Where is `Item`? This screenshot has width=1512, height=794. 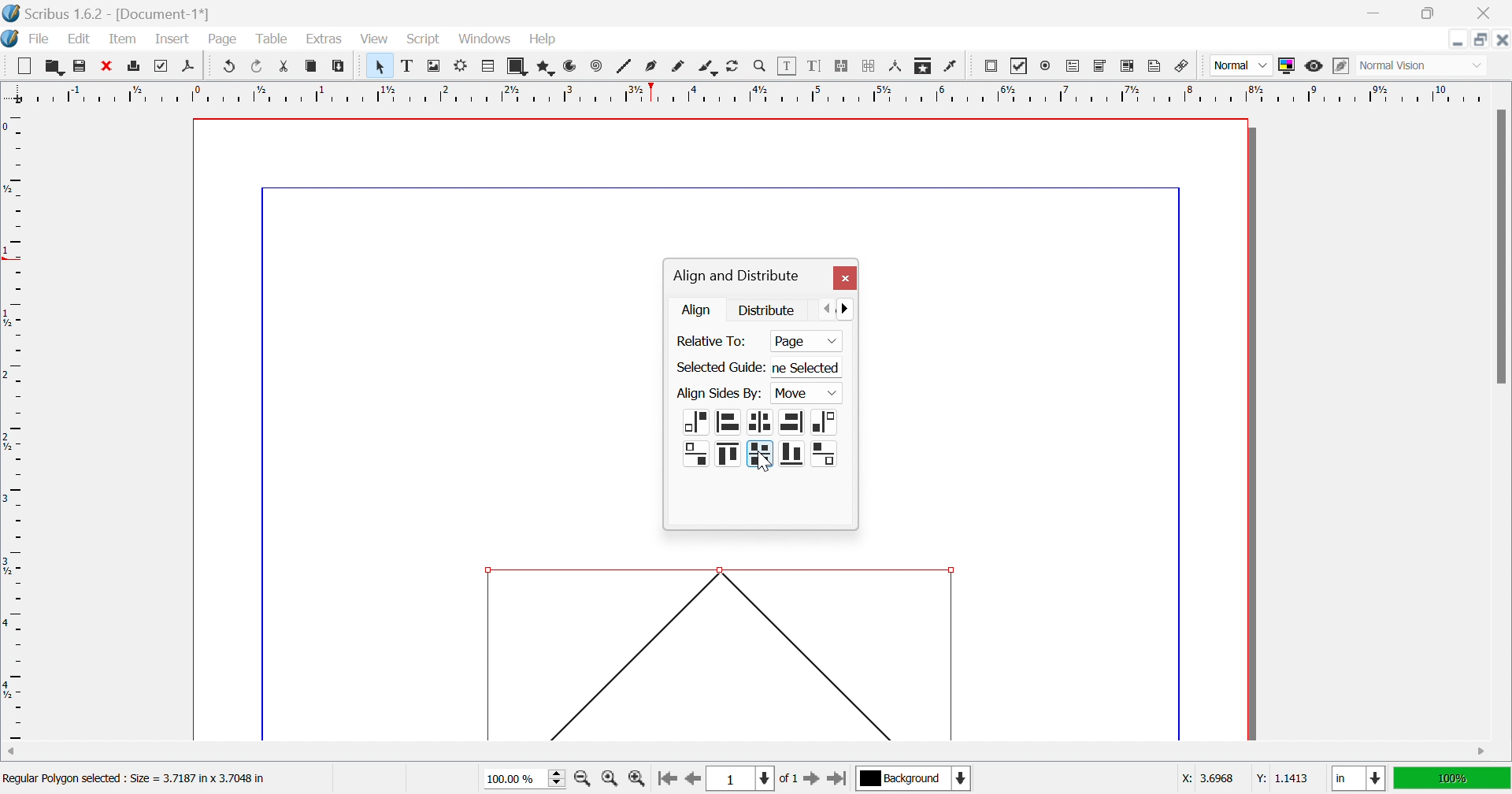 Item is located at coordinates (123, 38).